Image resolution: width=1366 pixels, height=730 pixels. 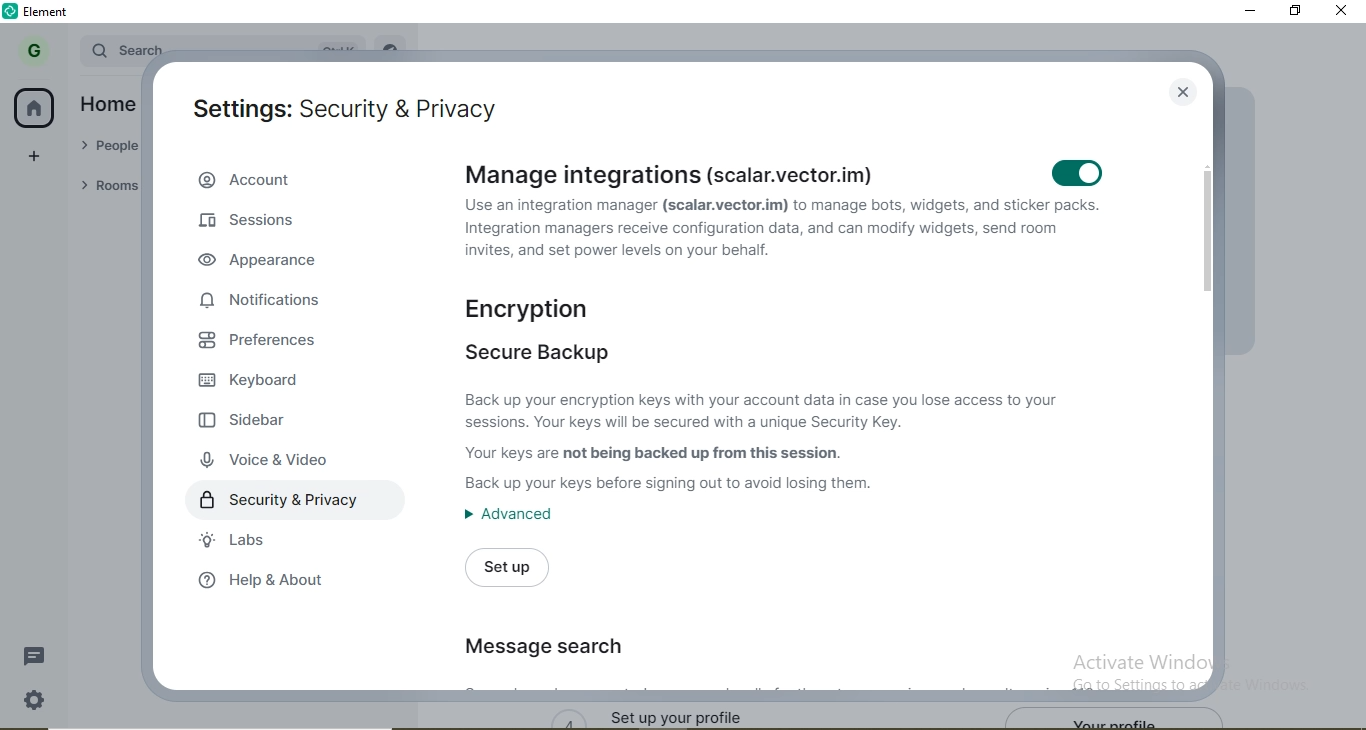 I want to click on appearance, so click(x=264, y=264).